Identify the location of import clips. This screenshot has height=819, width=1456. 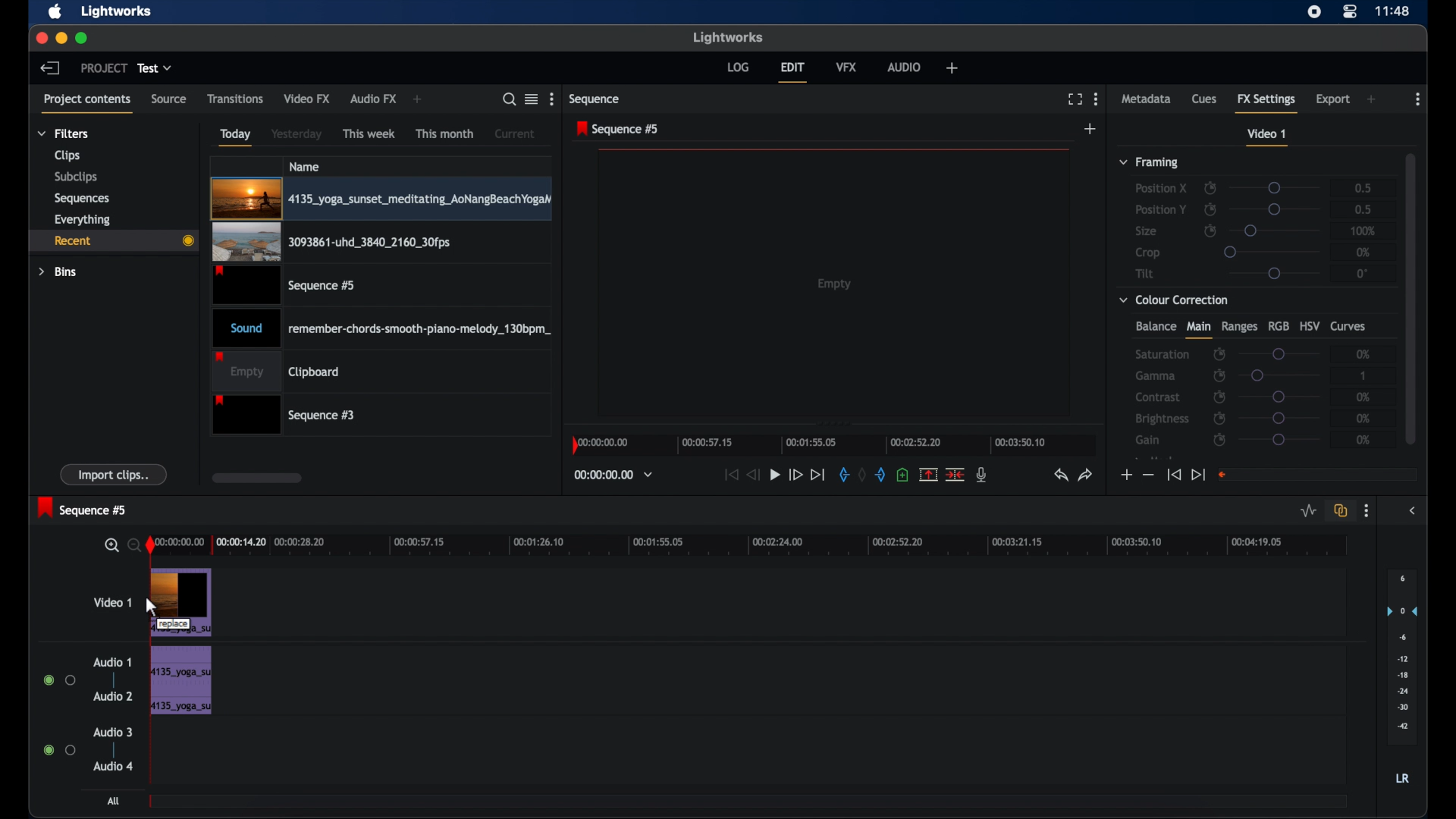
(115, 475).